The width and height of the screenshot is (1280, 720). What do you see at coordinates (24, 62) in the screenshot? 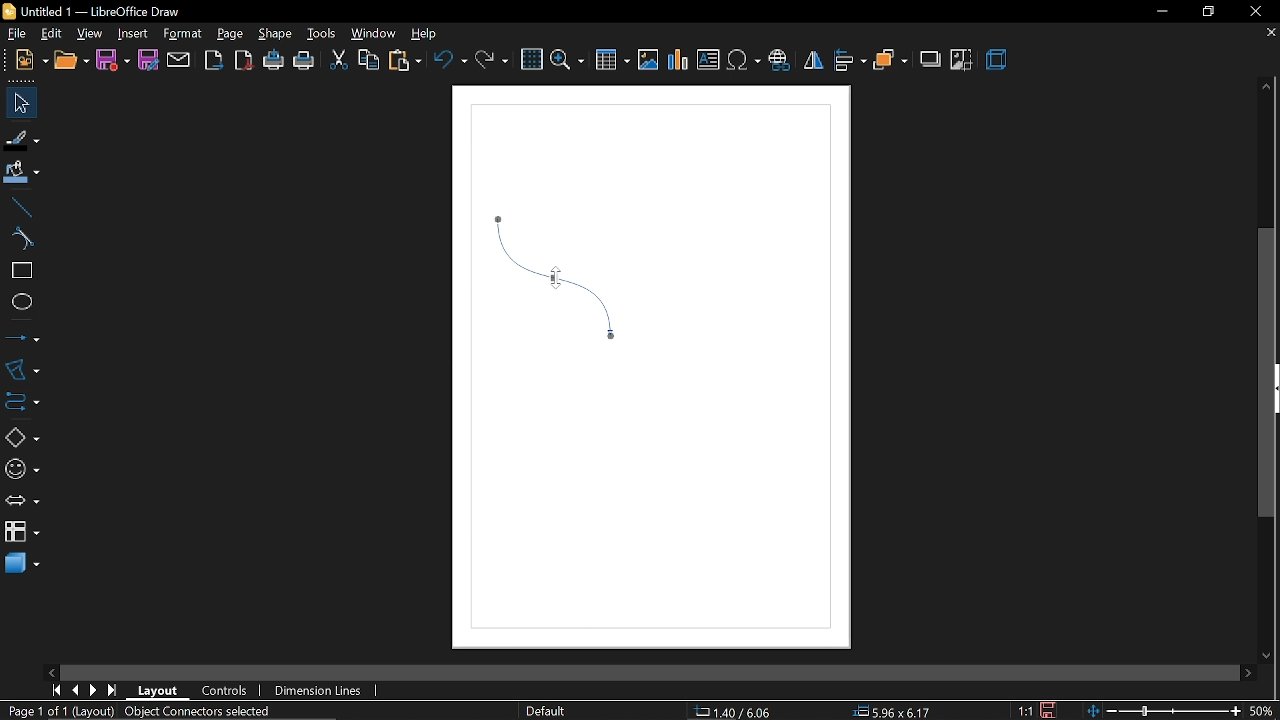
I see `new` at bounding box center [24, 62].